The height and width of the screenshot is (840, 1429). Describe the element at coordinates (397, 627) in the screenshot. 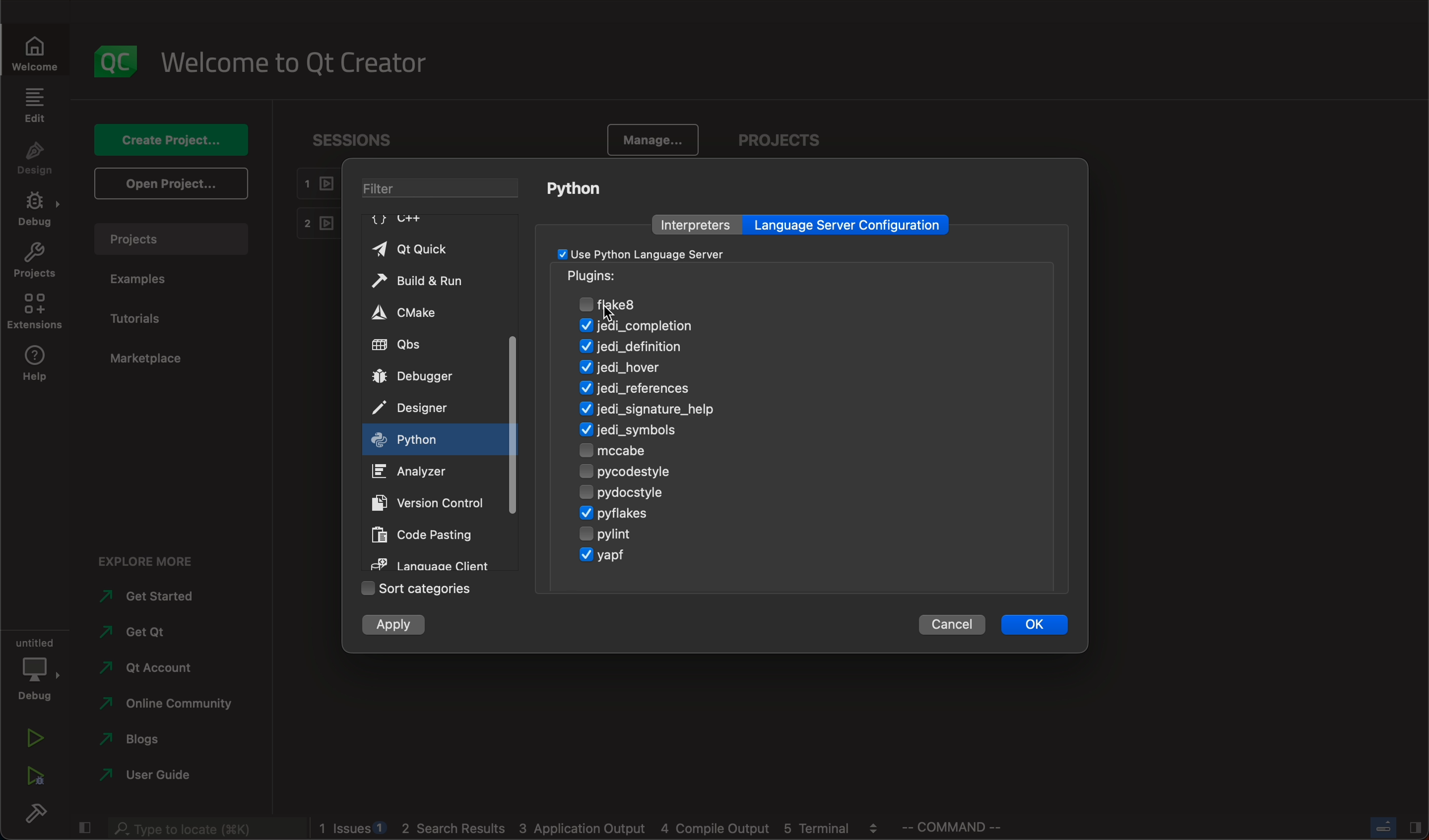

I see `apply` at that location.